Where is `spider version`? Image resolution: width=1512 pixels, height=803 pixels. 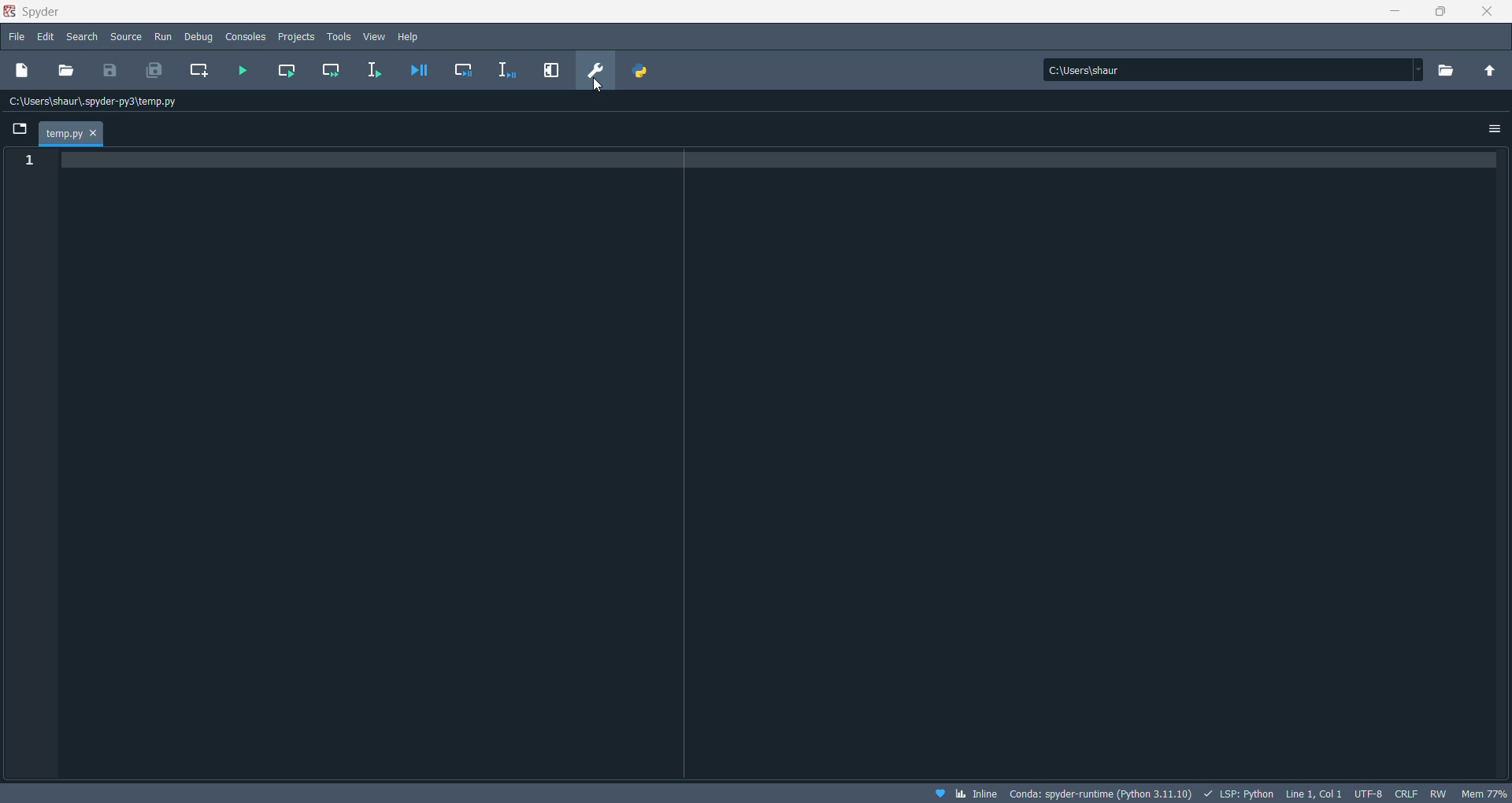
spider version is located at coordinates (1099, 791).